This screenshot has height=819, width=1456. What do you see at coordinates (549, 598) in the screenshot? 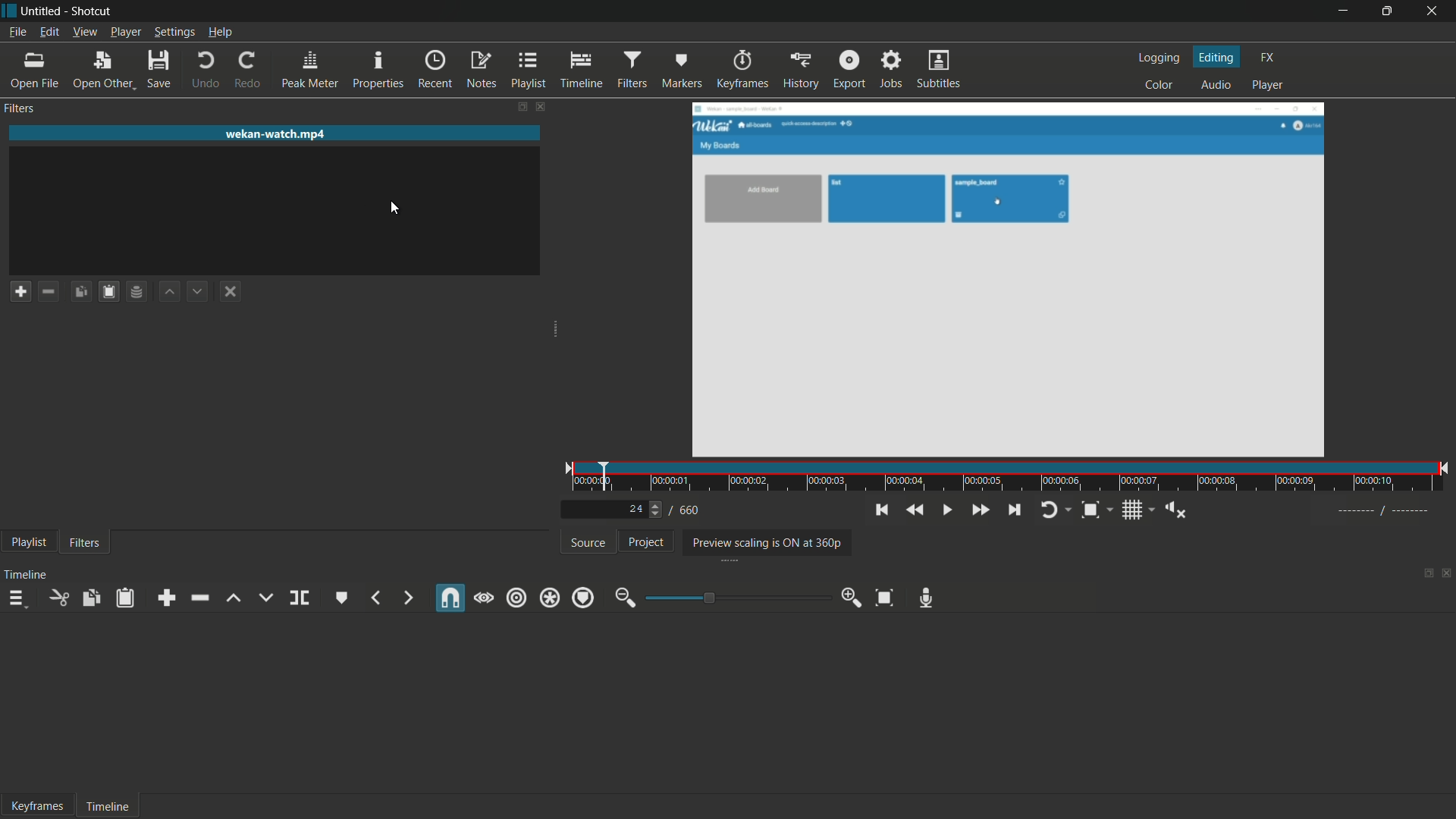
I see `ripple all tracks` at bounding box center [549, 598].